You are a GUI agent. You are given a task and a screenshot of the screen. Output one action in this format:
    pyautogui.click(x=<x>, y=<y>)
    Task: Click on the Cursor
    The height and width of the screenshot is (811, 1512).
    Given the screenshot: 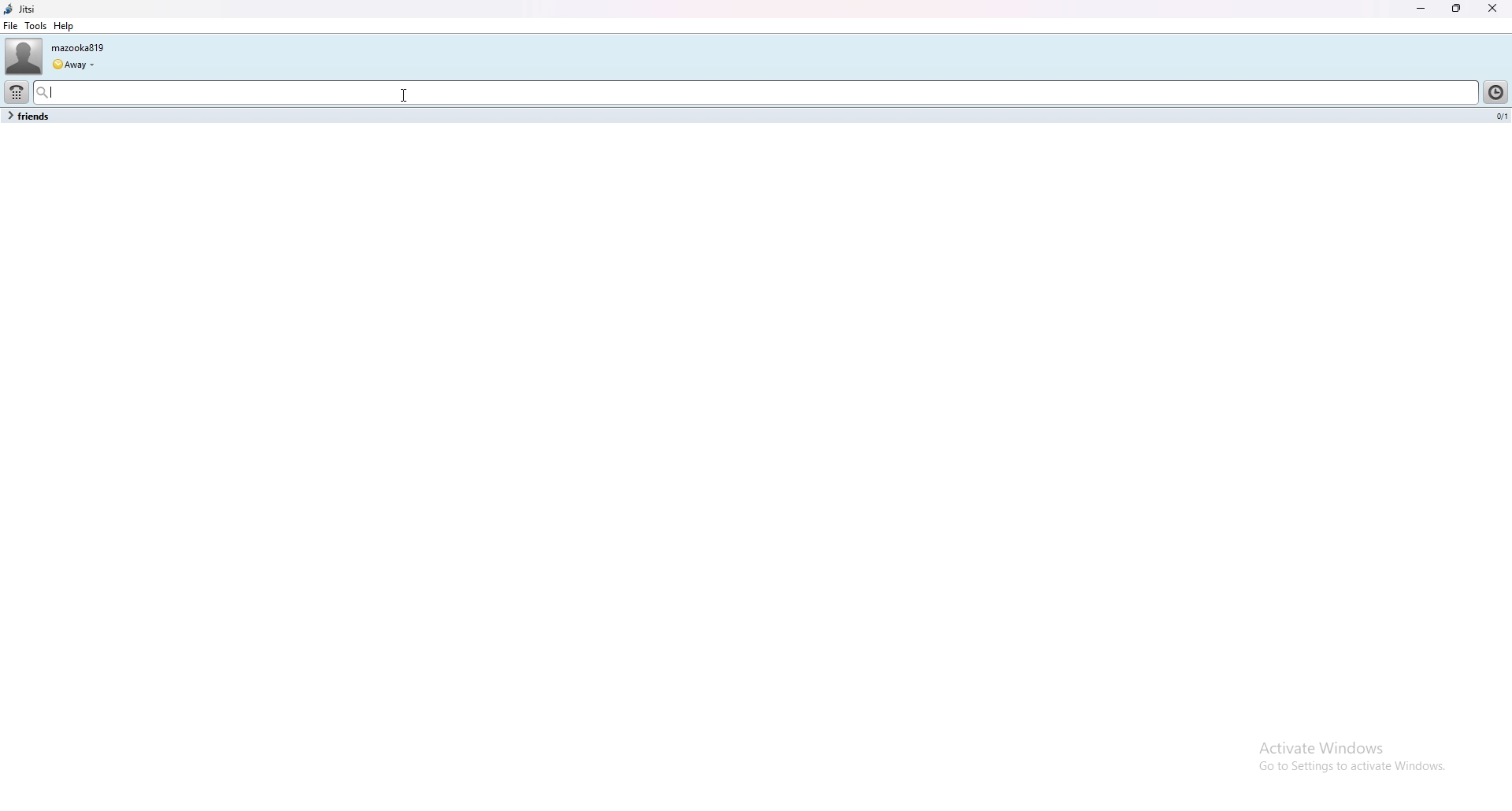 What is the action you would take?
    pyautogui.click(x=57, y=90)
    